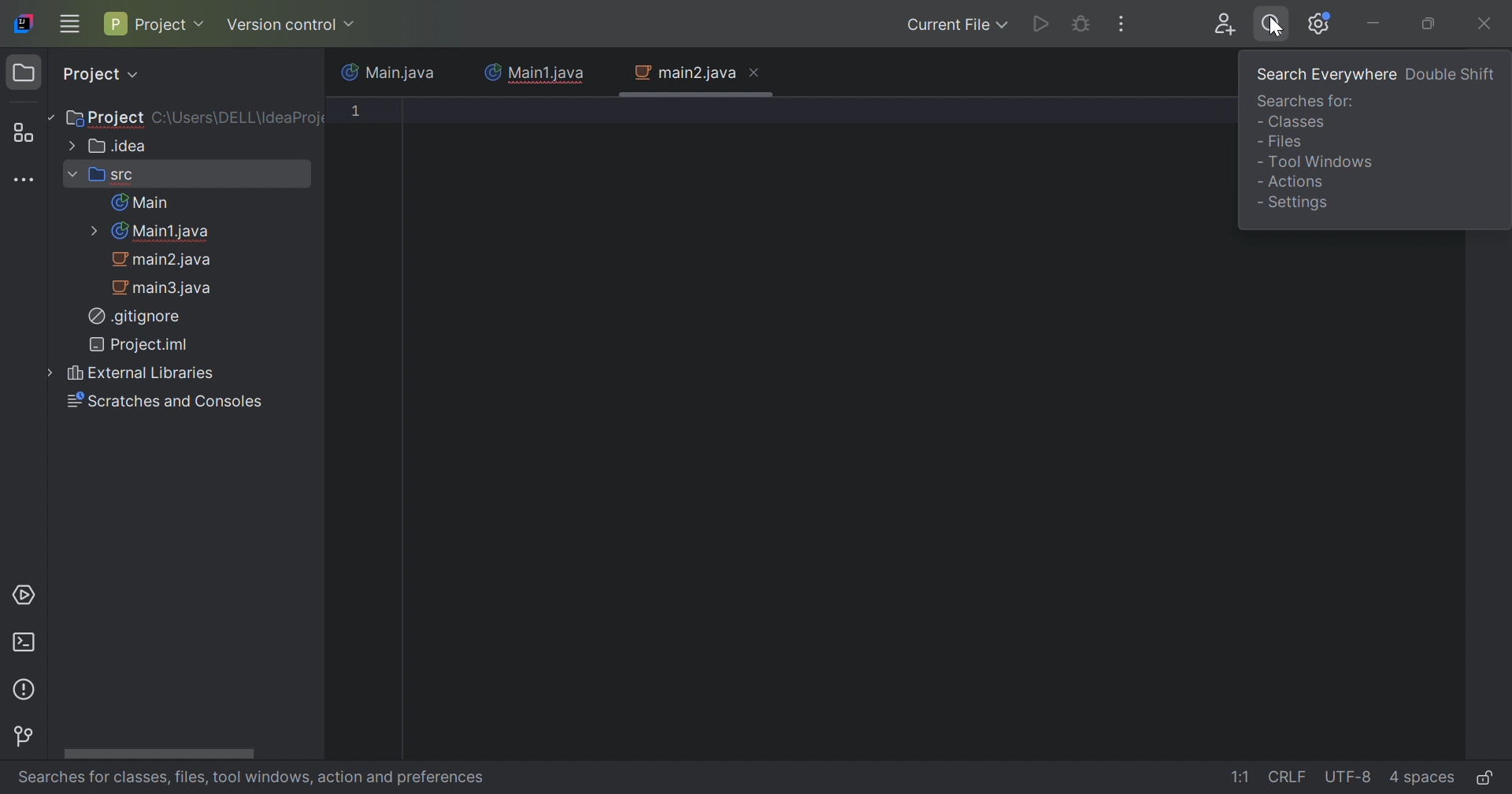  I want to click on Search everywhere, so click(1272, 25).